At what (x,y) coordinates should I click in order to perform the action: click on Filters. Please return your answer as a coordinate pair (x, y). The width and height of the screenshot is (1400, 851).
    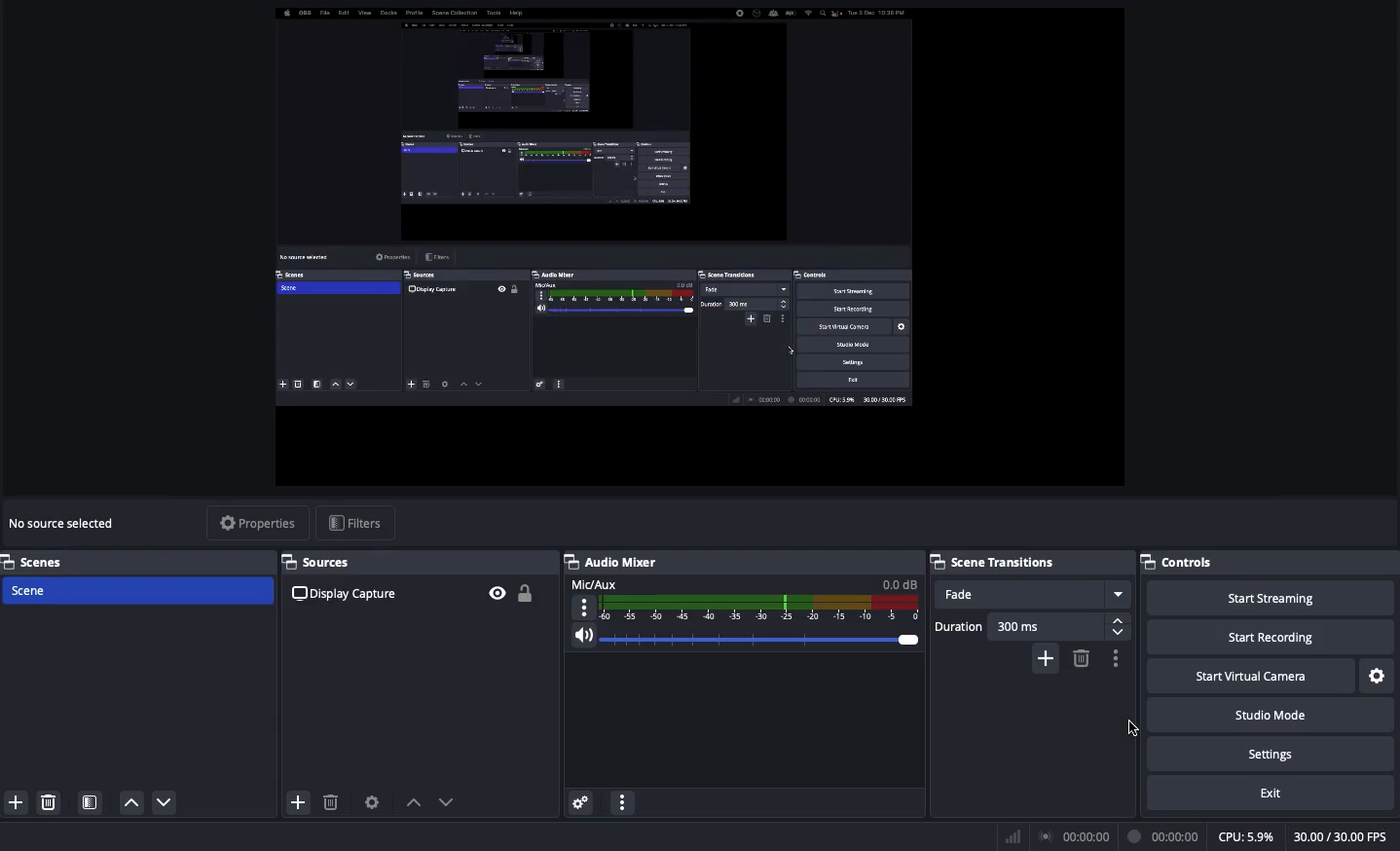
    Looking at the image, I should click on (354, 524).